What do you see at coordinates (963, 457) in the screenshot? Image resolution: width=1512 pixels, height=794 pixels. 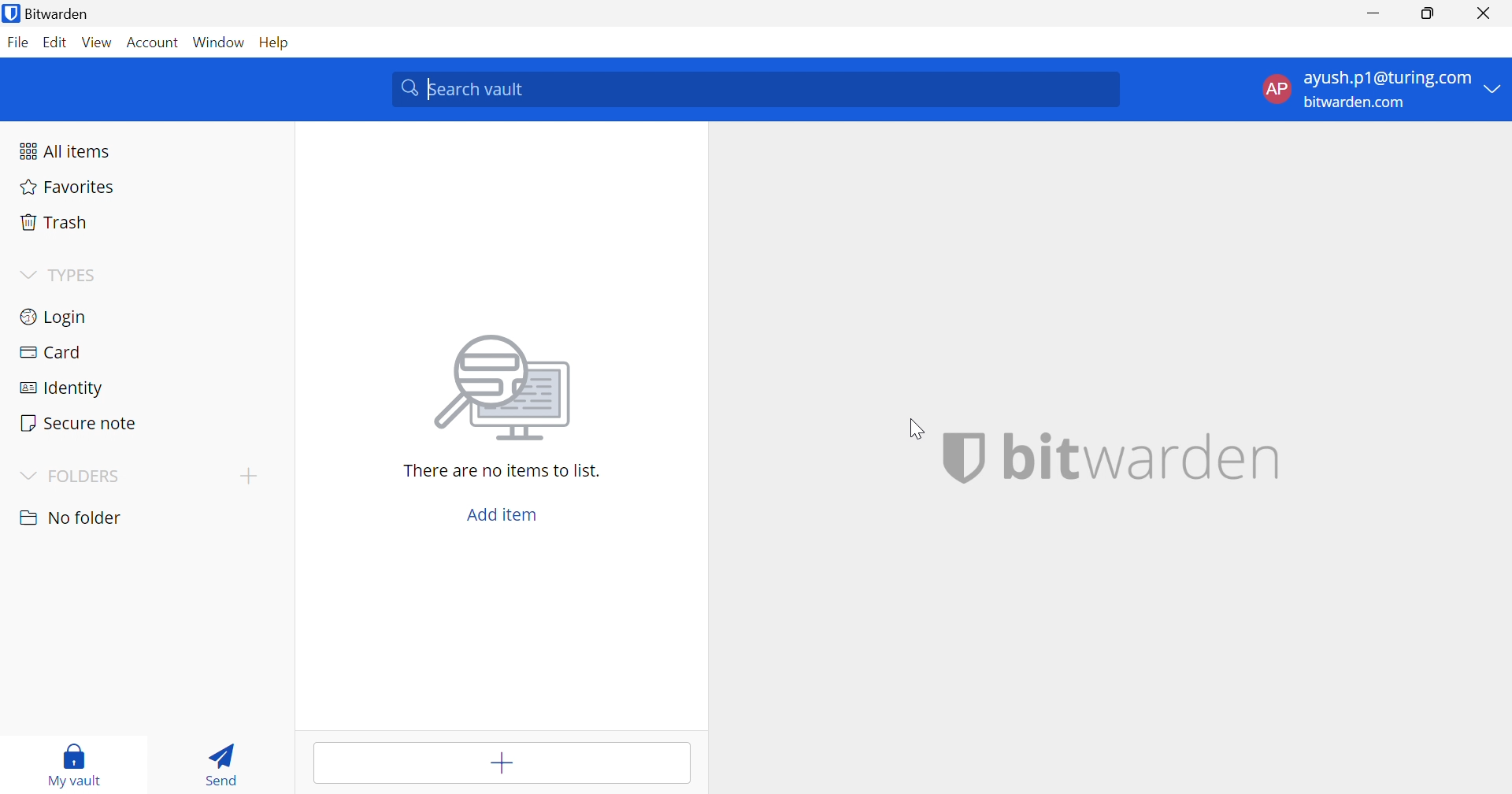 I see `bitwarden logo` at bounding box center [963, 457].